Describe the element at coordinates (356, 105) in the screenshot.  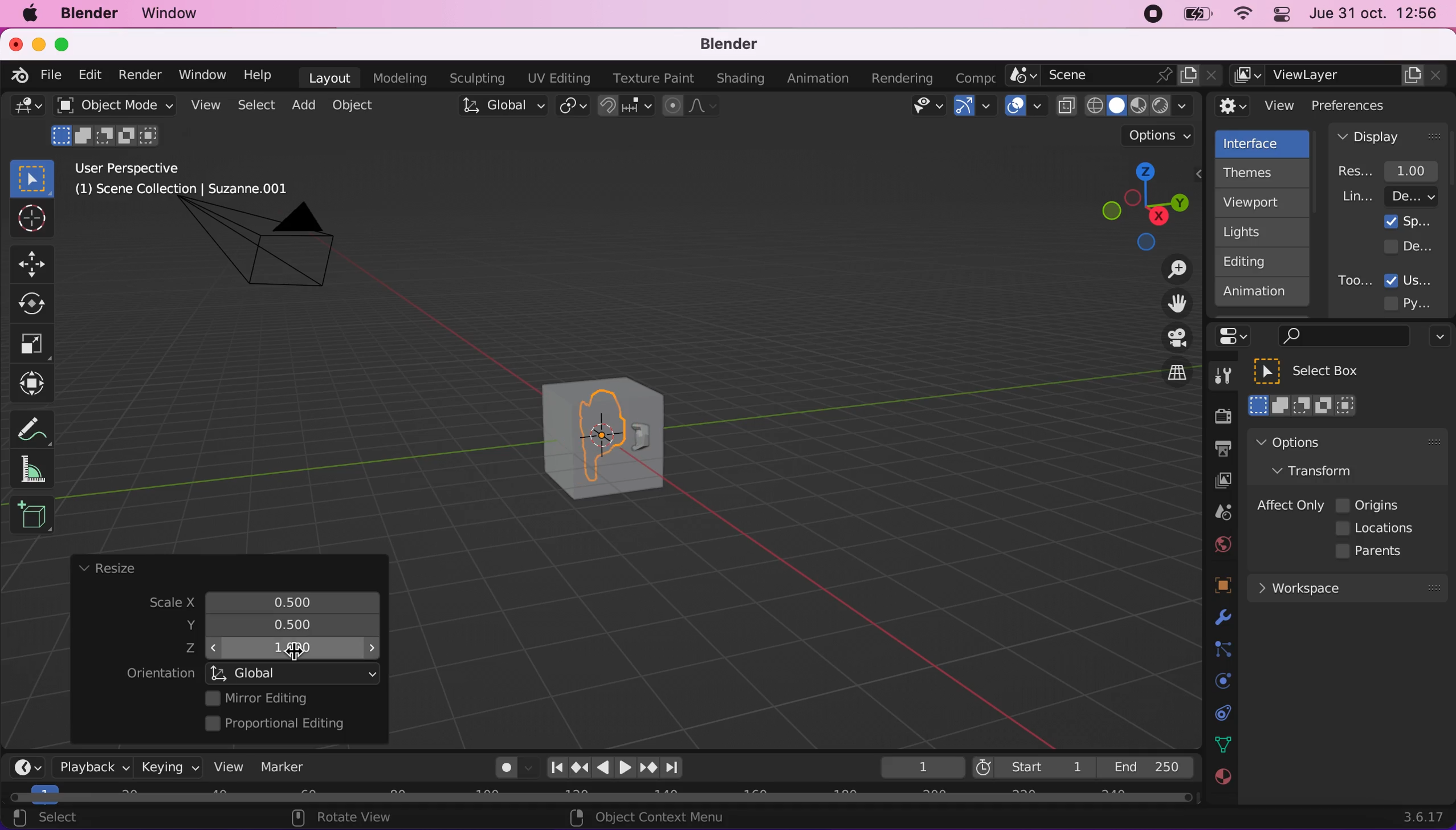
I see `object` at that location.